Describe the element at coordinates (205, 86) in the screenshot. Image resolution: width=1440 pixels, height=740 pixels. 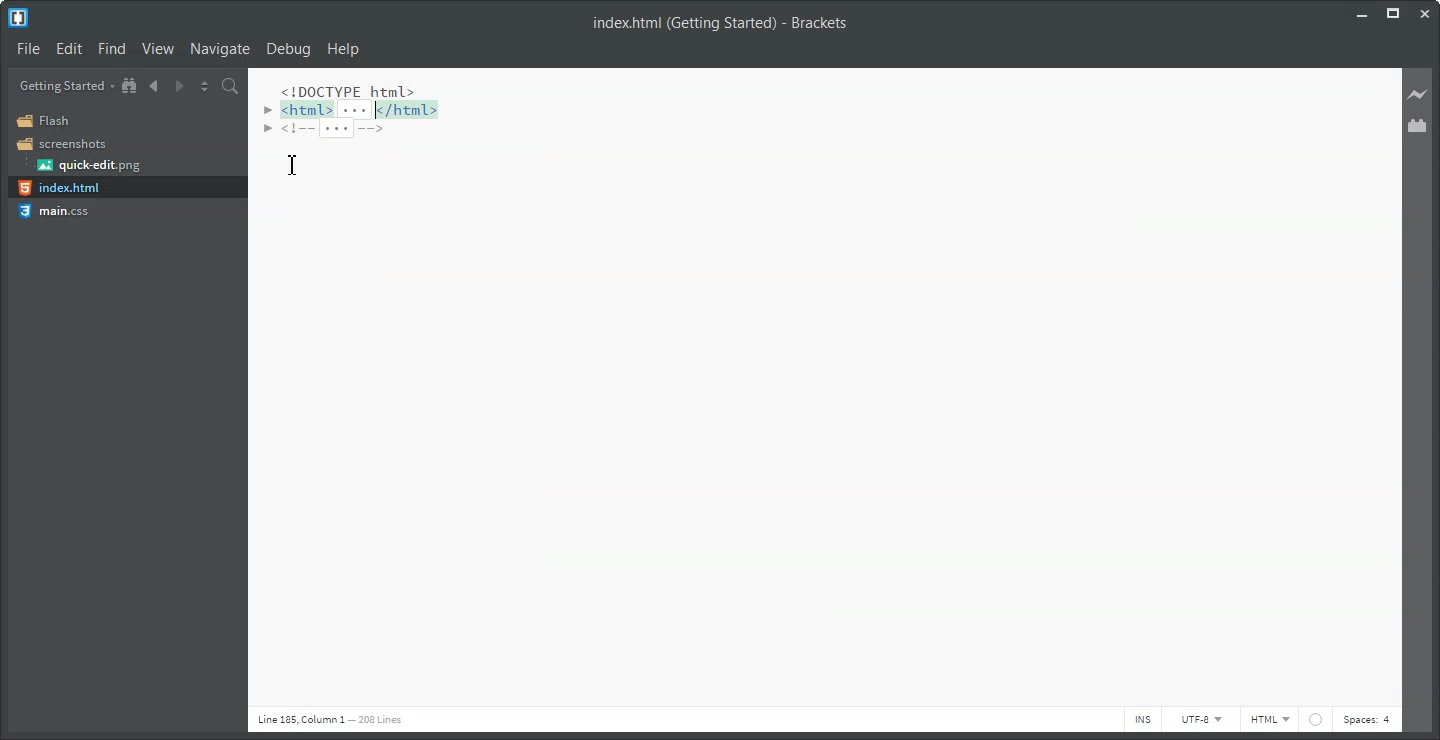
I see `Split the editor vertically and horizontally` at that location.